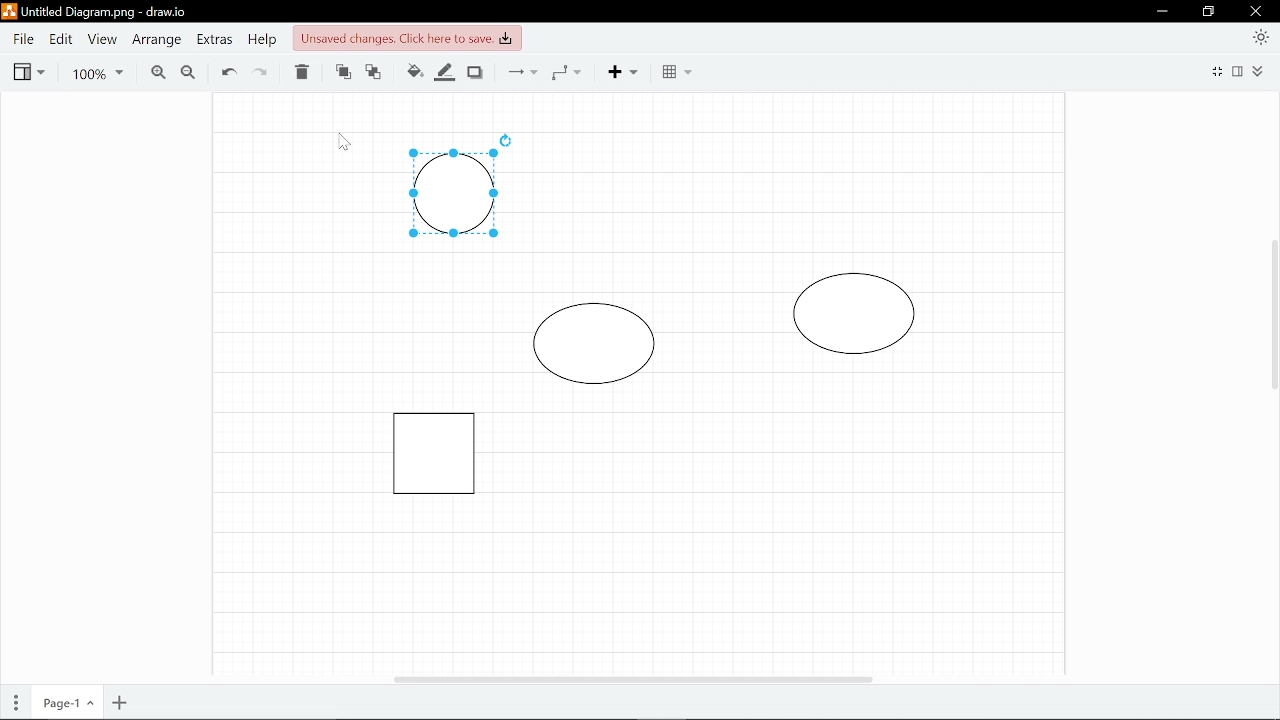 The image size is (1280, 720). I want to click on File, so click(23, 39).